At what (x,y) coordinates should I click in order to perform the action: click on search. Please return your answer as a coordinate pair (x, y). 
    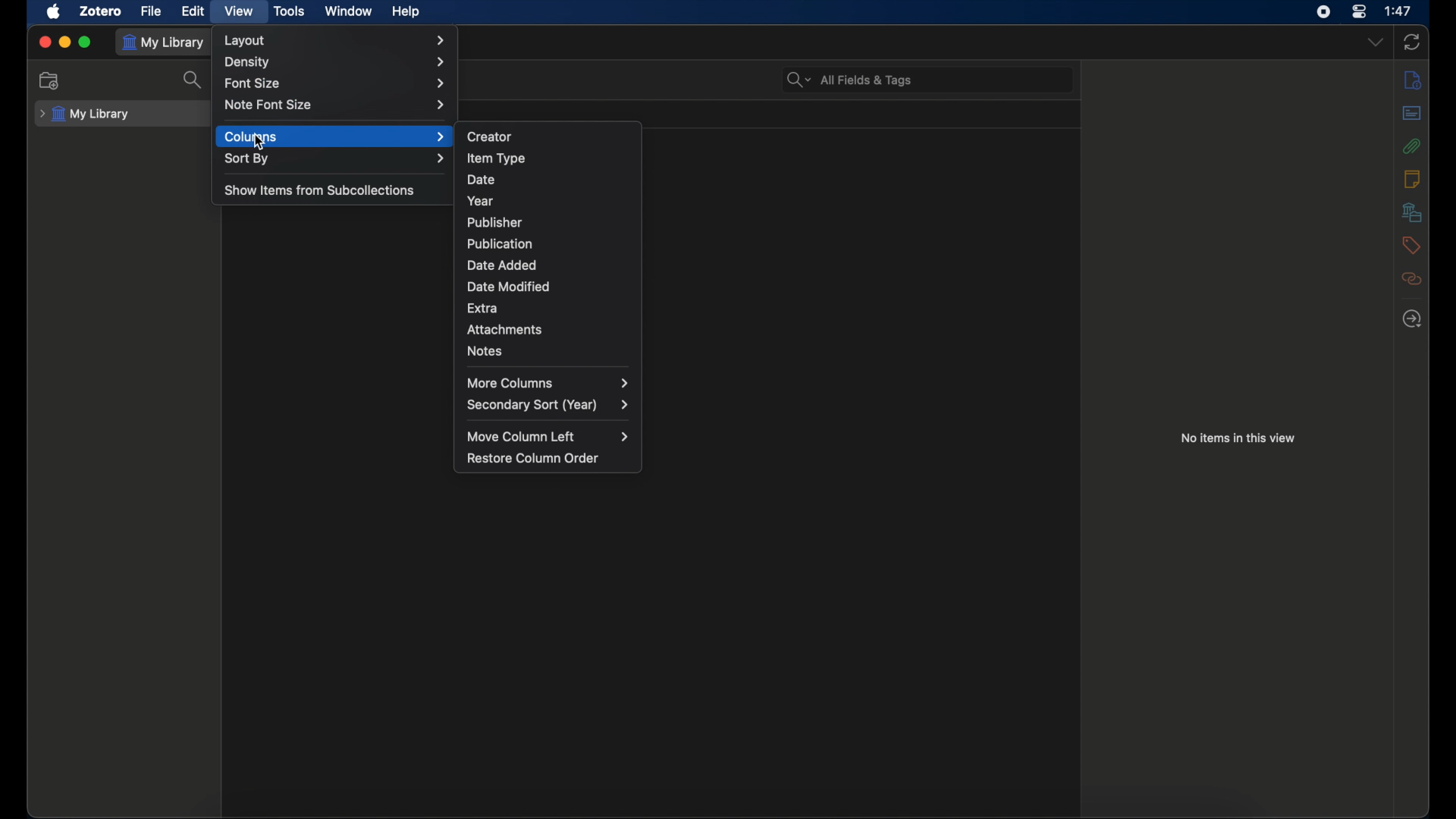
    Looking at the image, I should click on (194, 79).